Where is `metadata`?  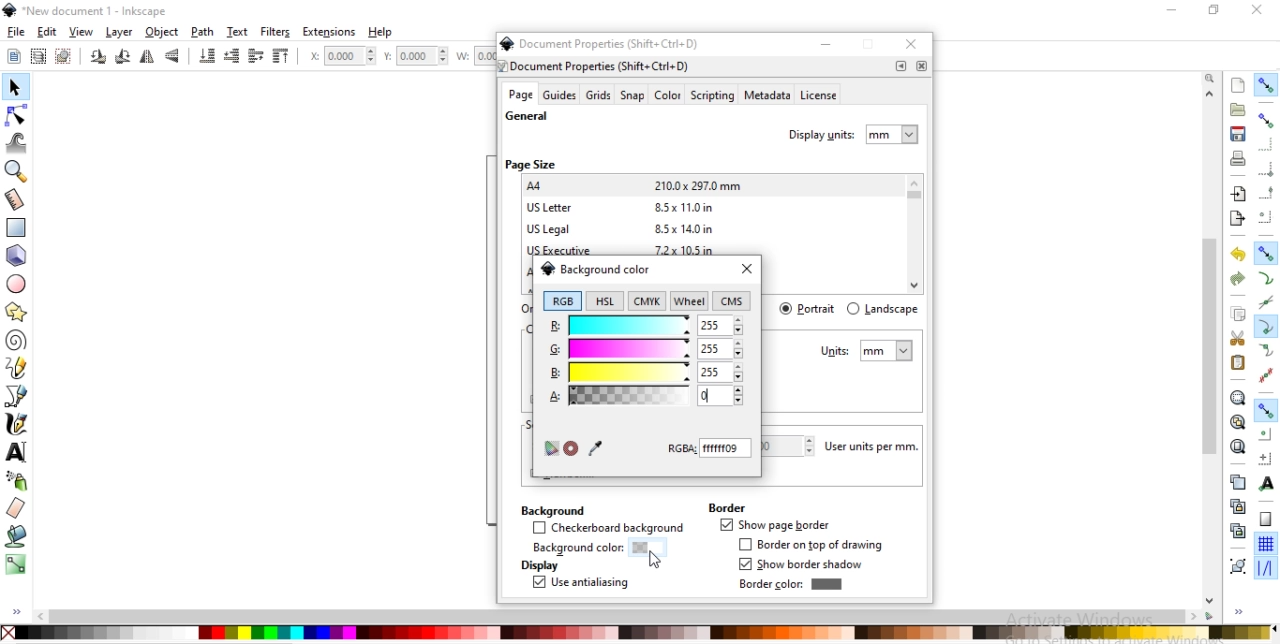
metadata is located at coordinates (766, 96).